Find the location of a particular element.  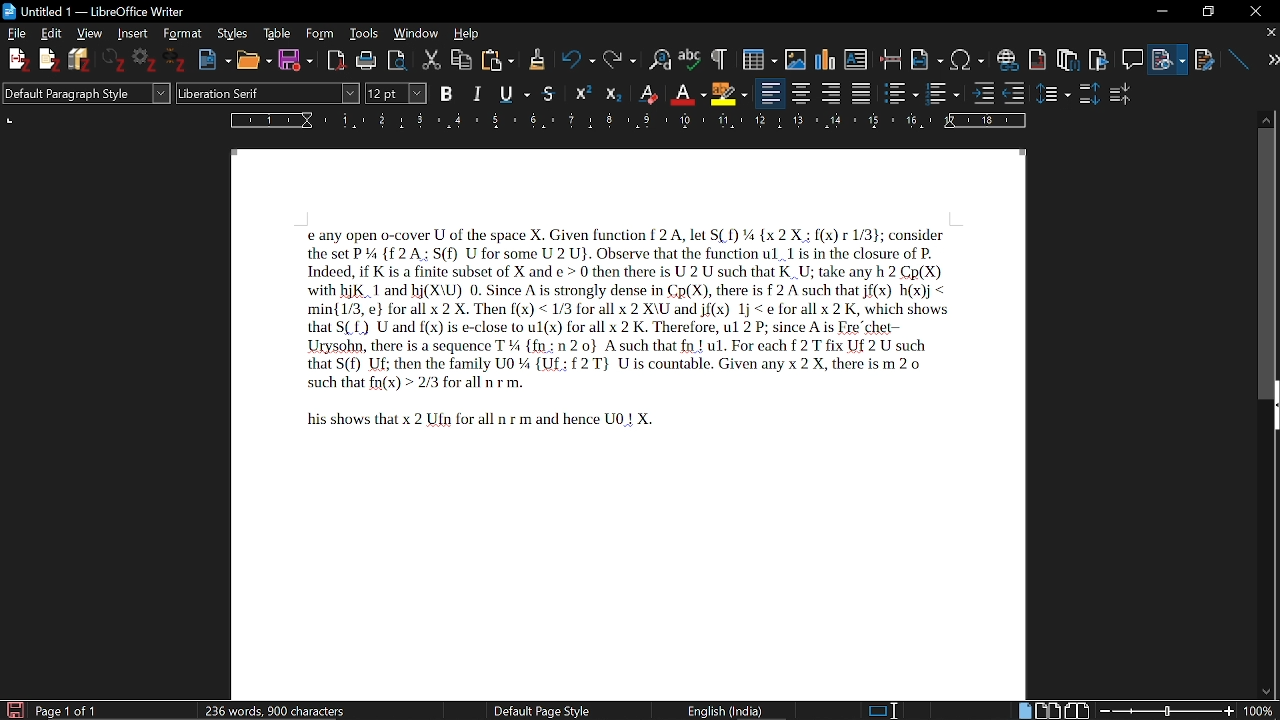

print is located at coordinates (366, 59).